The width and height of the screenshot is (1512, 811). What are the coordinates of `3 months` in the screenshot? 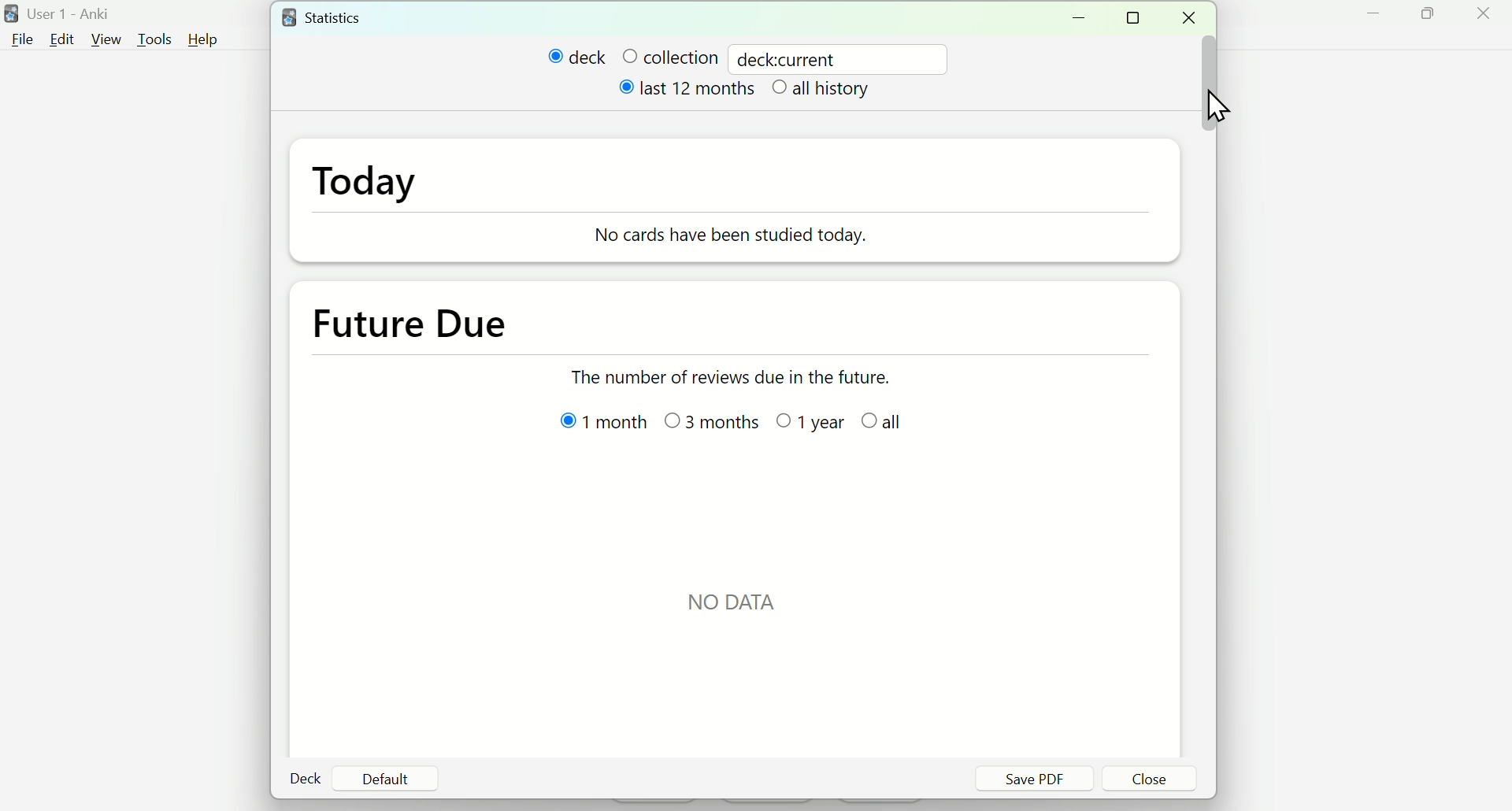 It's located at (716, 421).